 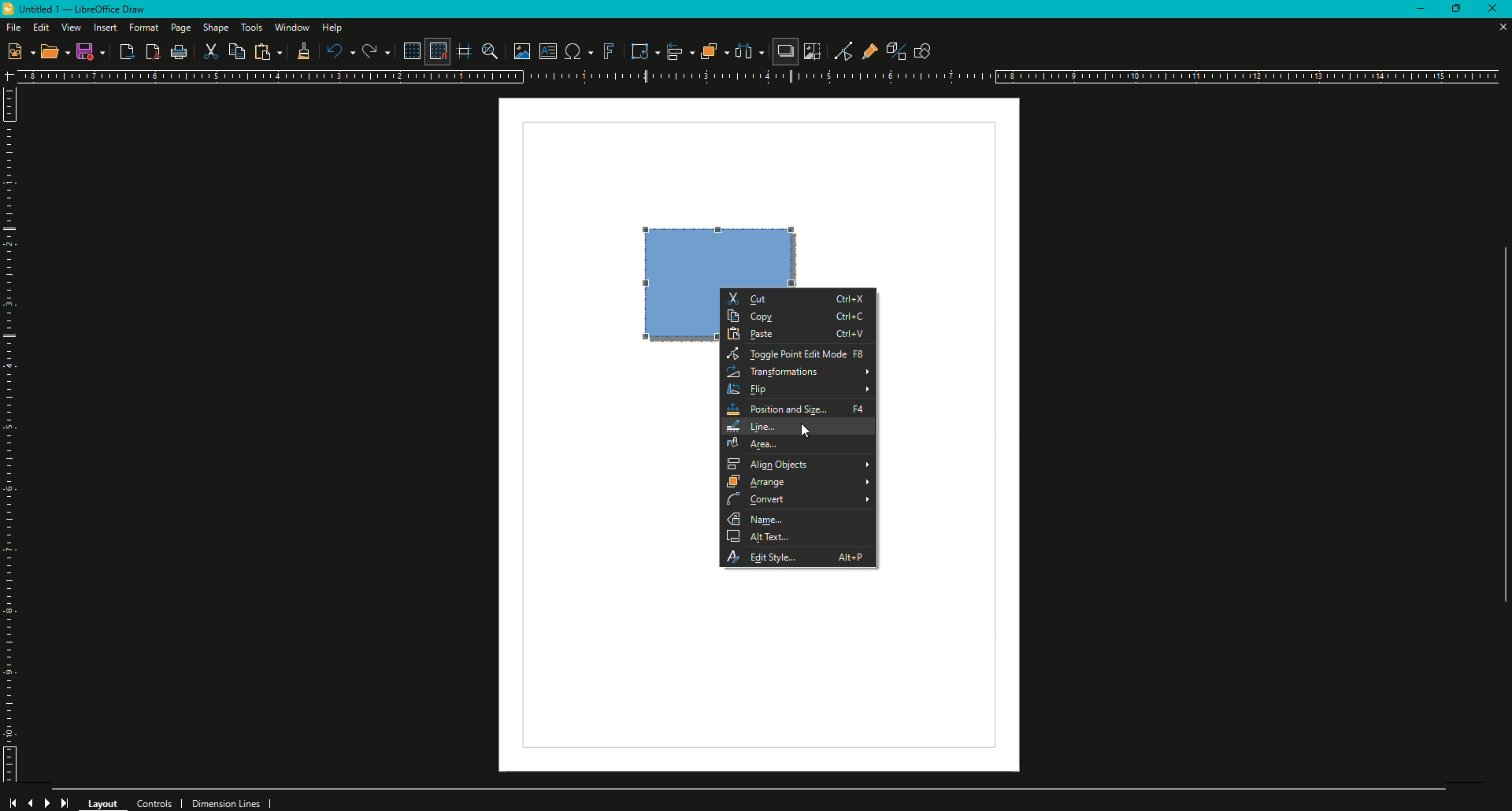 What do you see at coordinates (674, 51) in the screenshot?
I see `Align Objects` at bounding box center [674, 51].